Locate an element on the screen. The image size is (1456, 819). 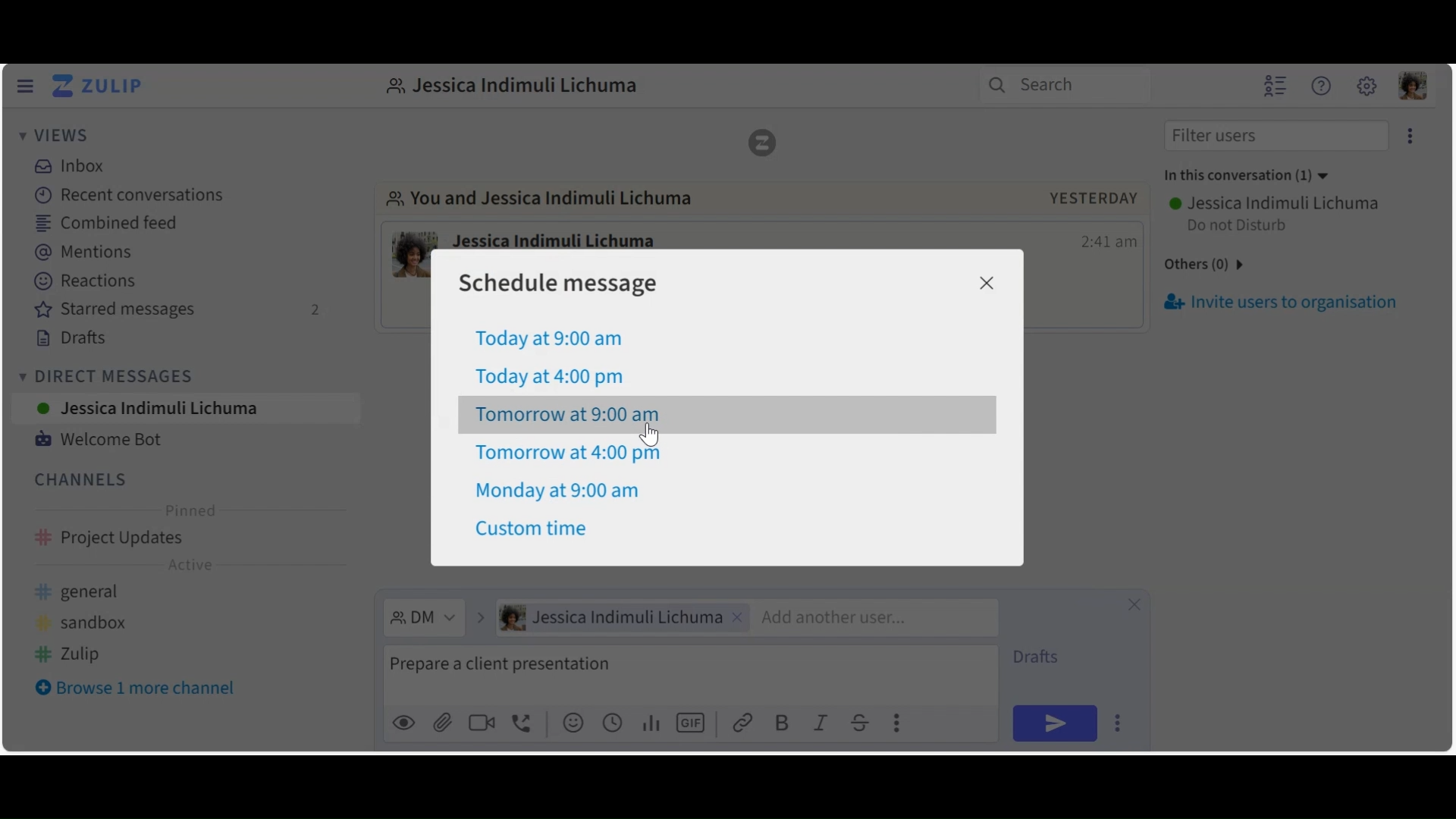
Username is located at coordinates (1276, 202).